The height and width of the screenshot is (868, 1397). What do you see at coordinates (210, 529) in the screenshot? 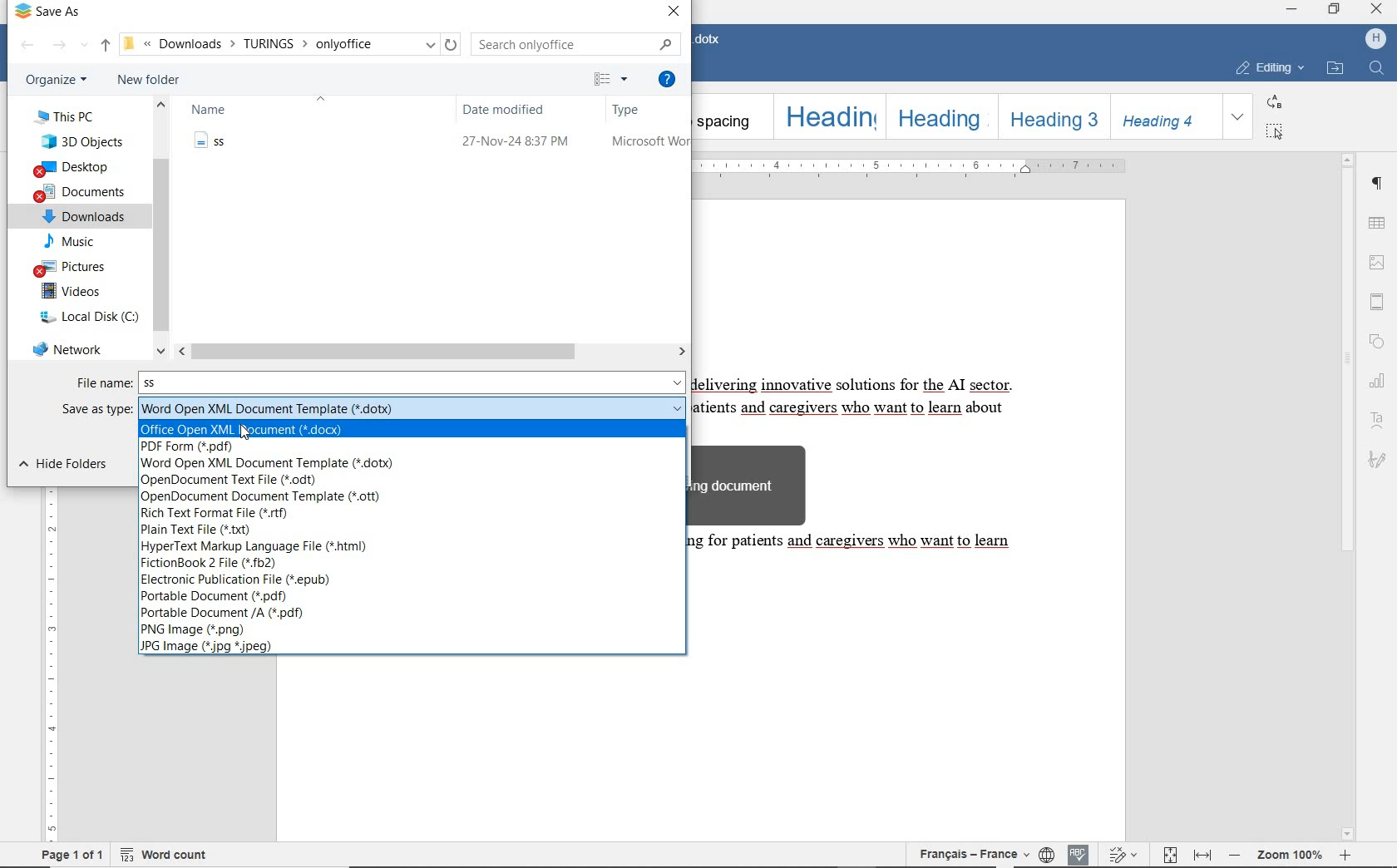
I see `txt` at bounding box center [210, 529].